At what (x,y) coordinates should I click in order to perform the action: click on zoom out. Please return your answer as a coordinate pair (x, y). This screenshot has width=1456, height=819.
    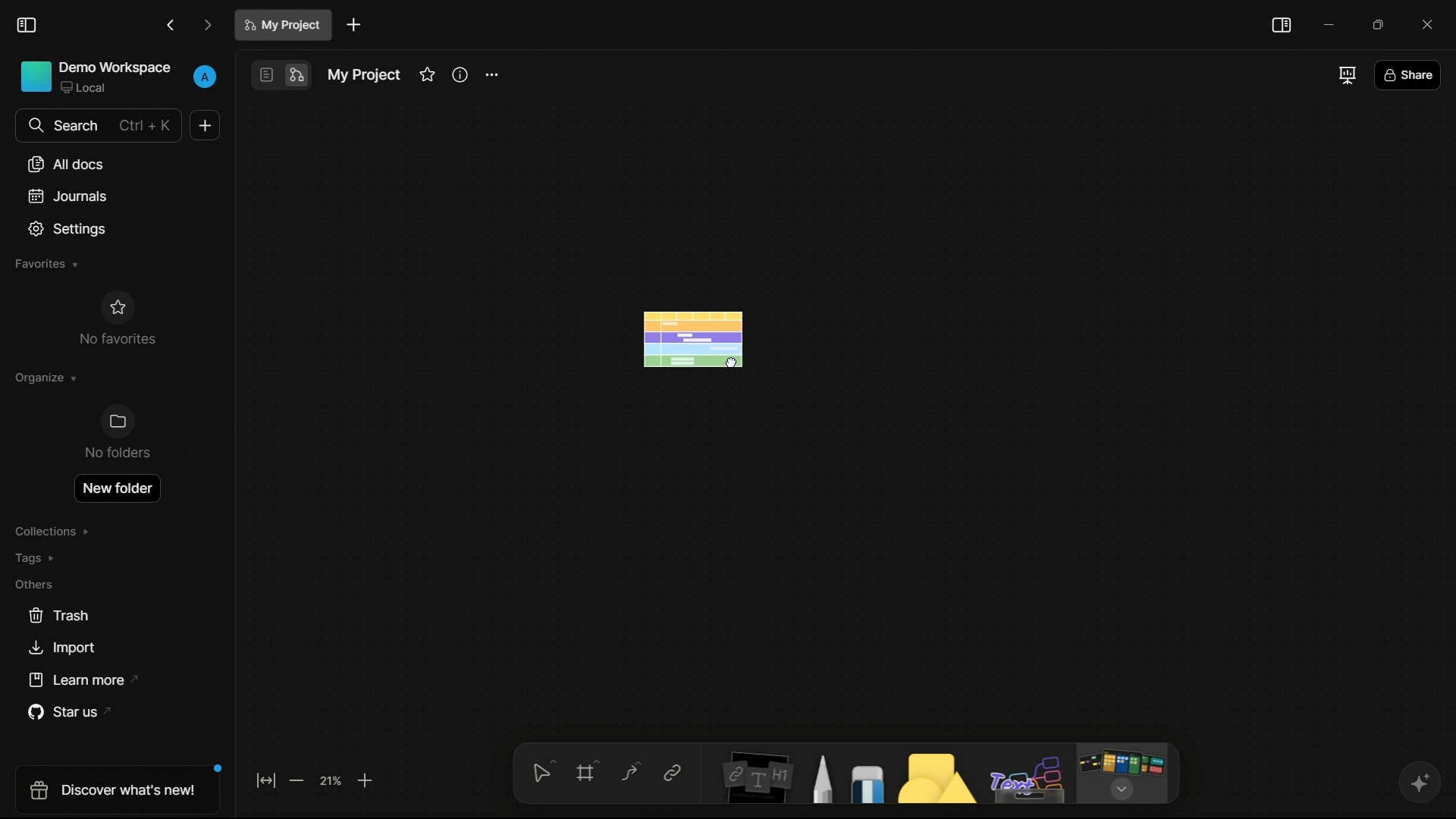
    Looking at the image, I should click on (299, 783).